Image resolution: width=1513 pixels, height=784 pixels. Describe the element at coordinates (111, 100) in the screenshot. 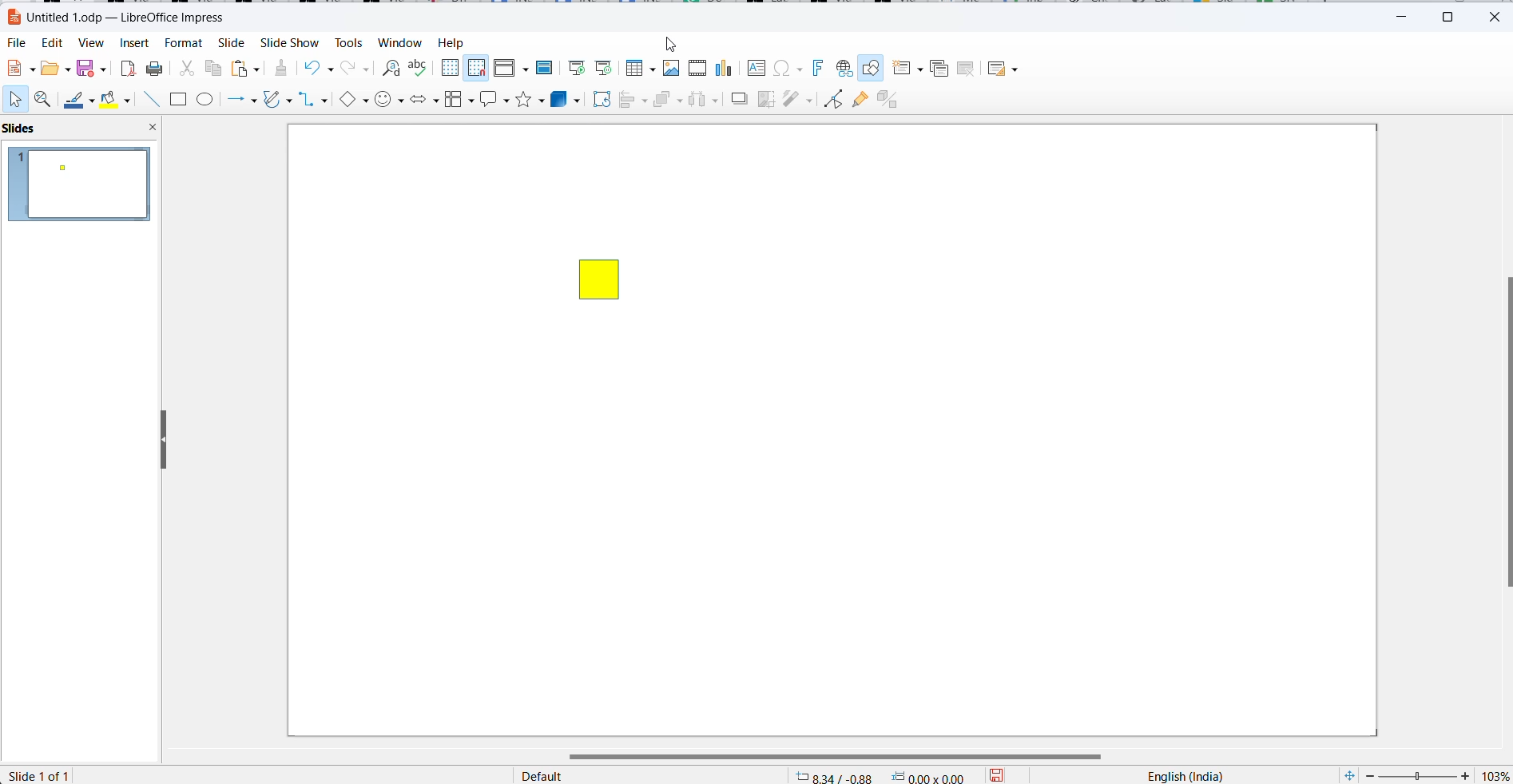

I see `fill color` at that location.